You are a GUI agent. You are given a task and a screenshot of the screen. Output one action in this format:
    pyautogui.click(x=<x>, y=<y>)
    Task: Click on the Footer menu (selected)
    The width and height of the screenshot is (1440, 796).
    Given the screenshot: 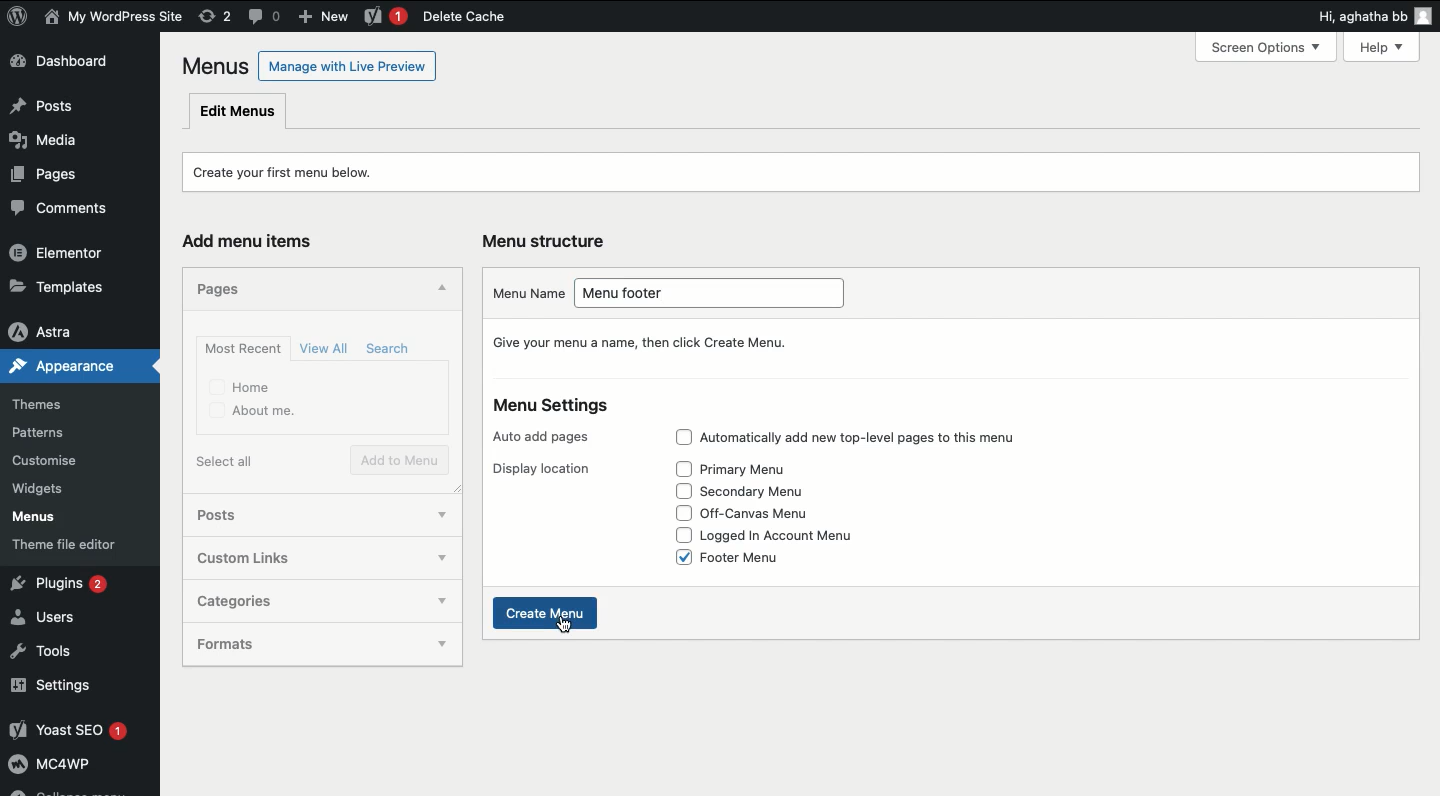 What is the action you would take?
    pyautogui.click(x=749, y=558)
    